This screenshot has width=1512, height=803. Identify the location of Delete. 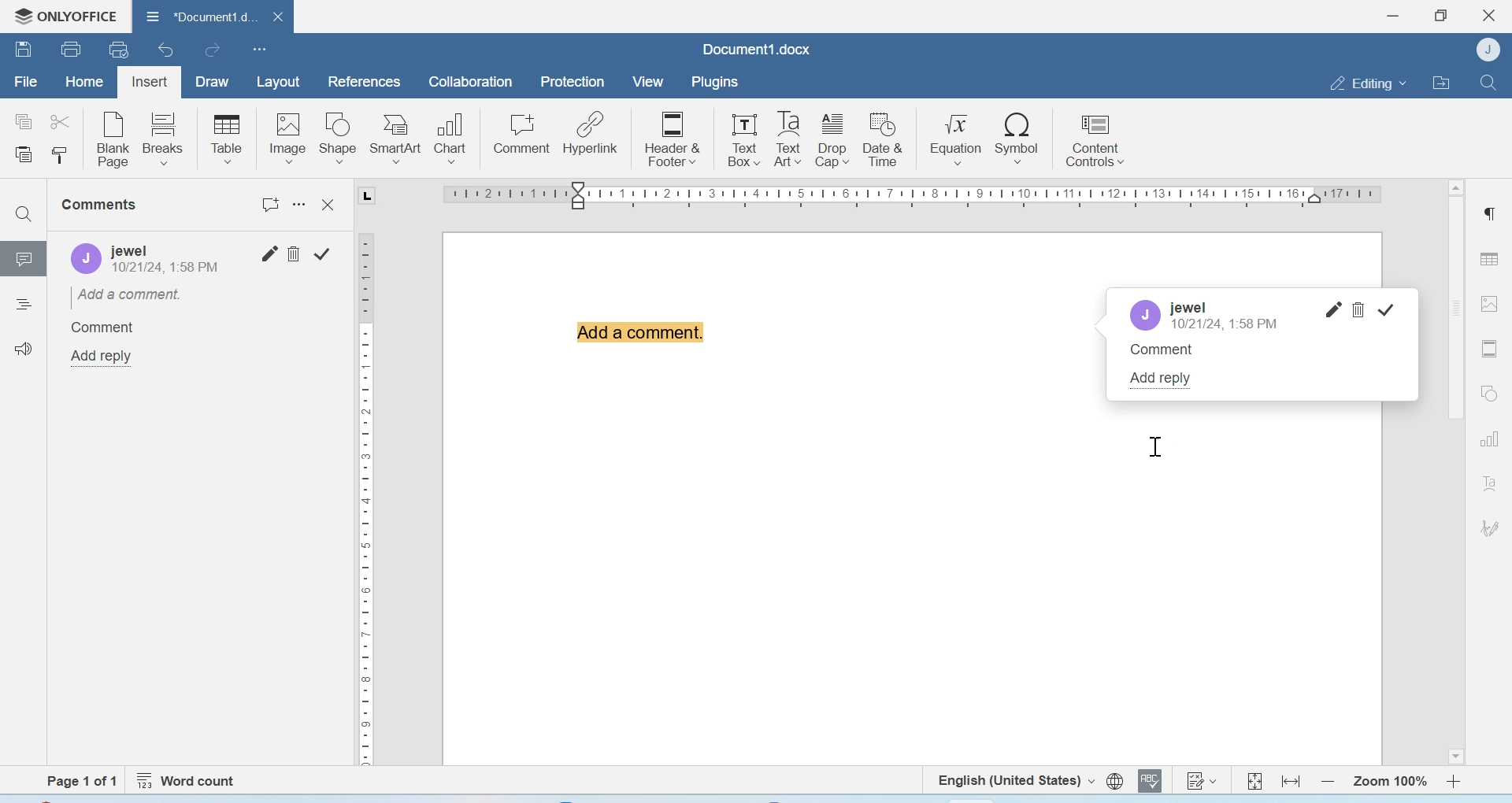
(1358, 310).